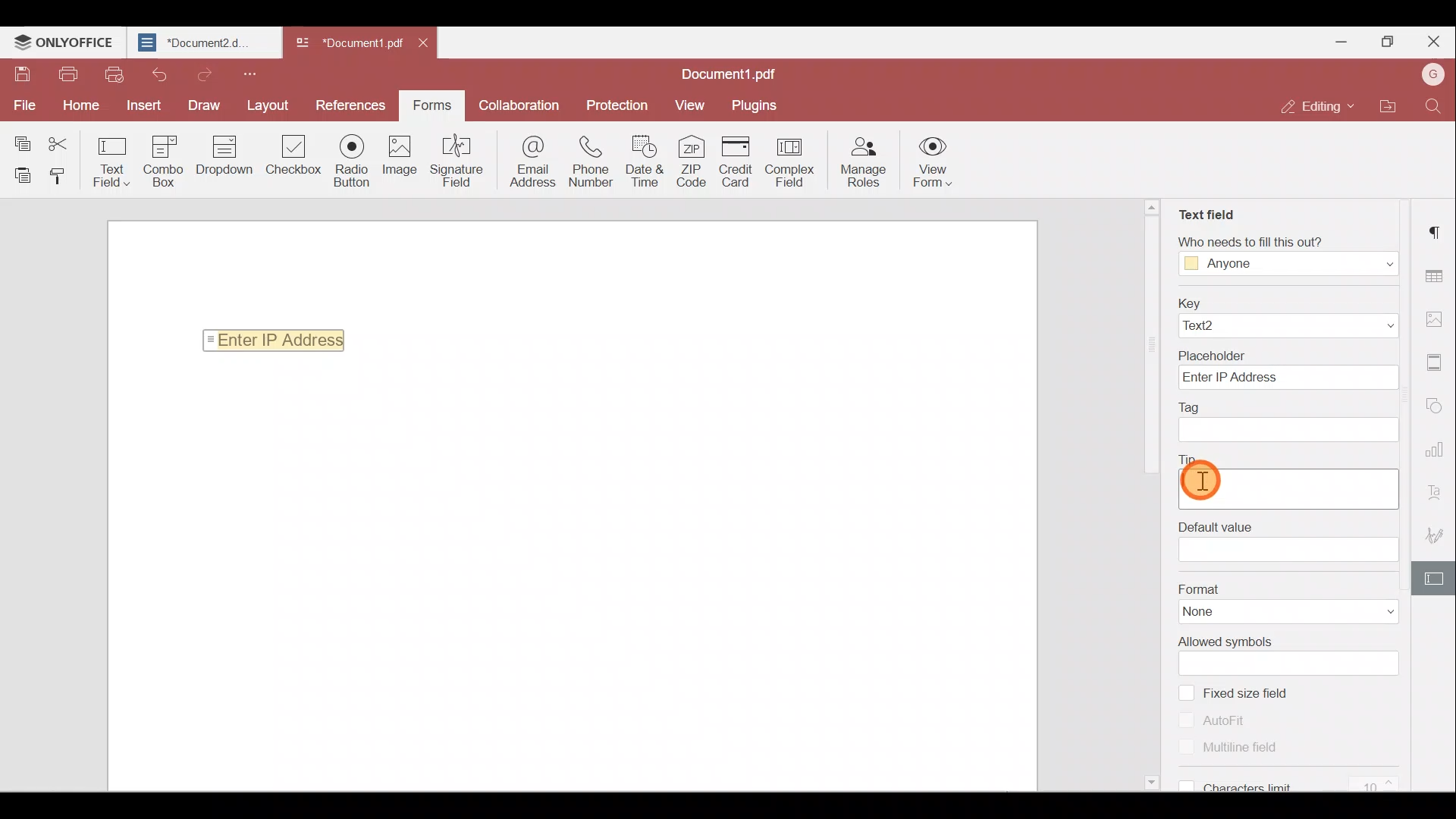 The height and width of the screenshot is (819, 1456). What do you see at coordinates (795, 161) in the screenshot?
I see `Complex field` at bounding box center [795, 161].